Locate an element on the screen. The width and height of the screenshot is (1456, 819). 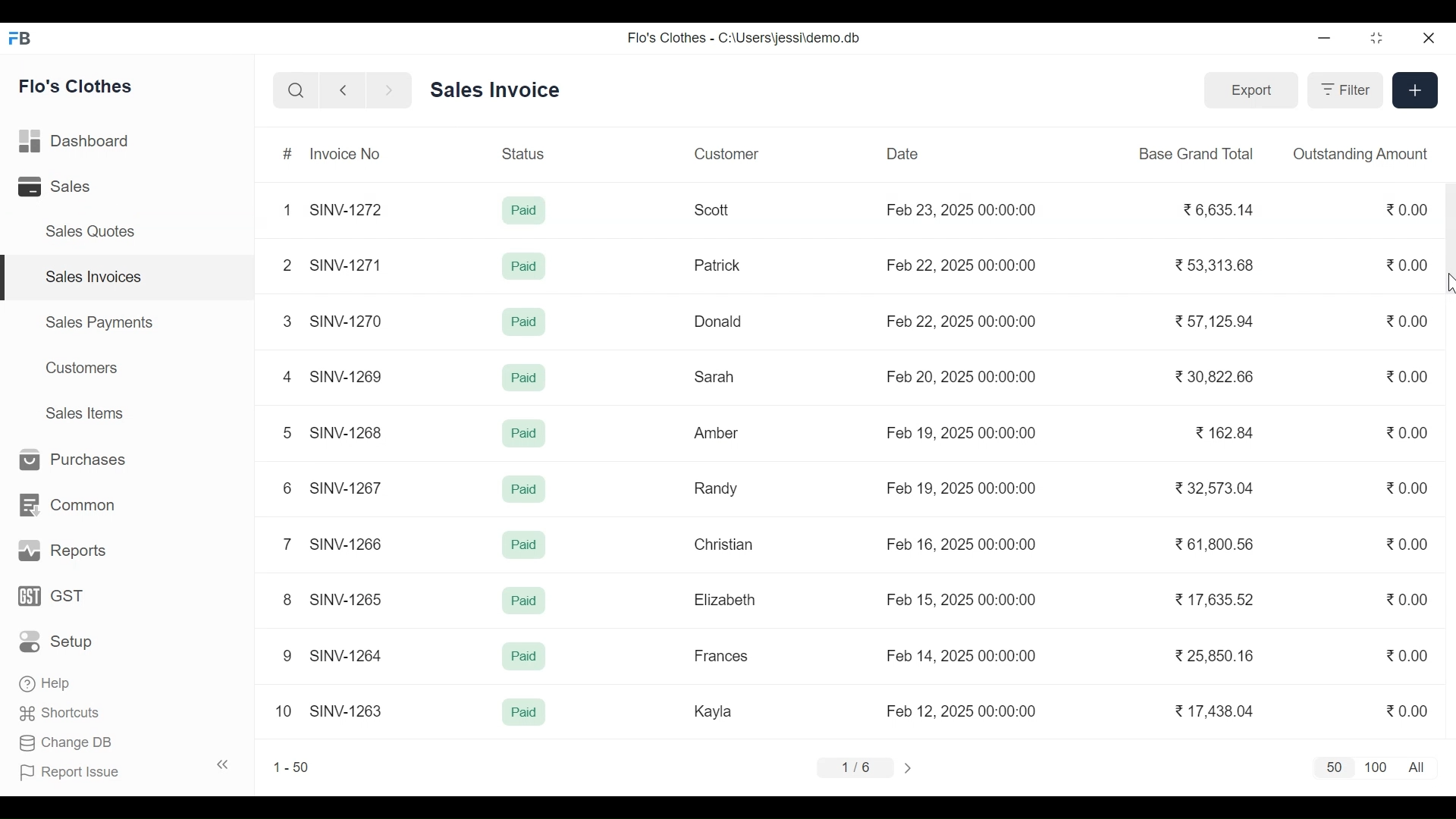
2 is located at coordinates (285, 265).